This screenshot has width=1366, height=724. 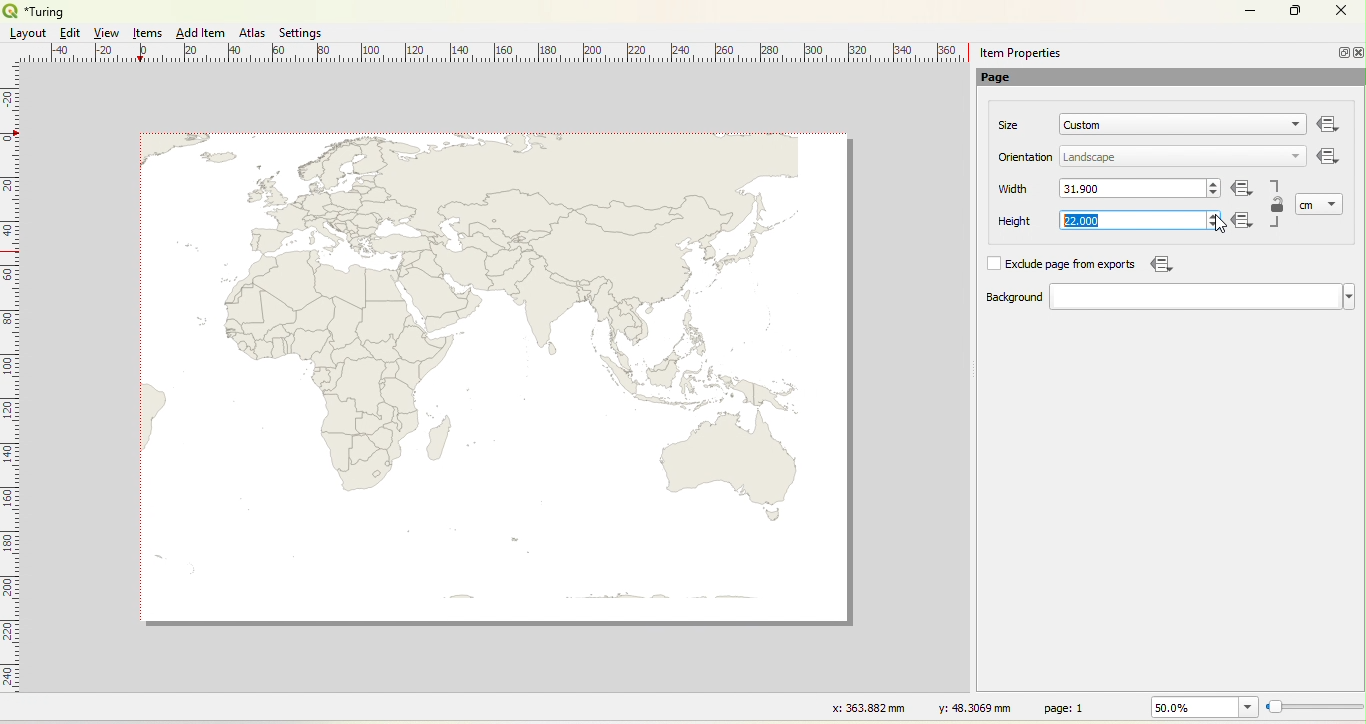 I want to click on Ruler, so click(x=11, y=391).